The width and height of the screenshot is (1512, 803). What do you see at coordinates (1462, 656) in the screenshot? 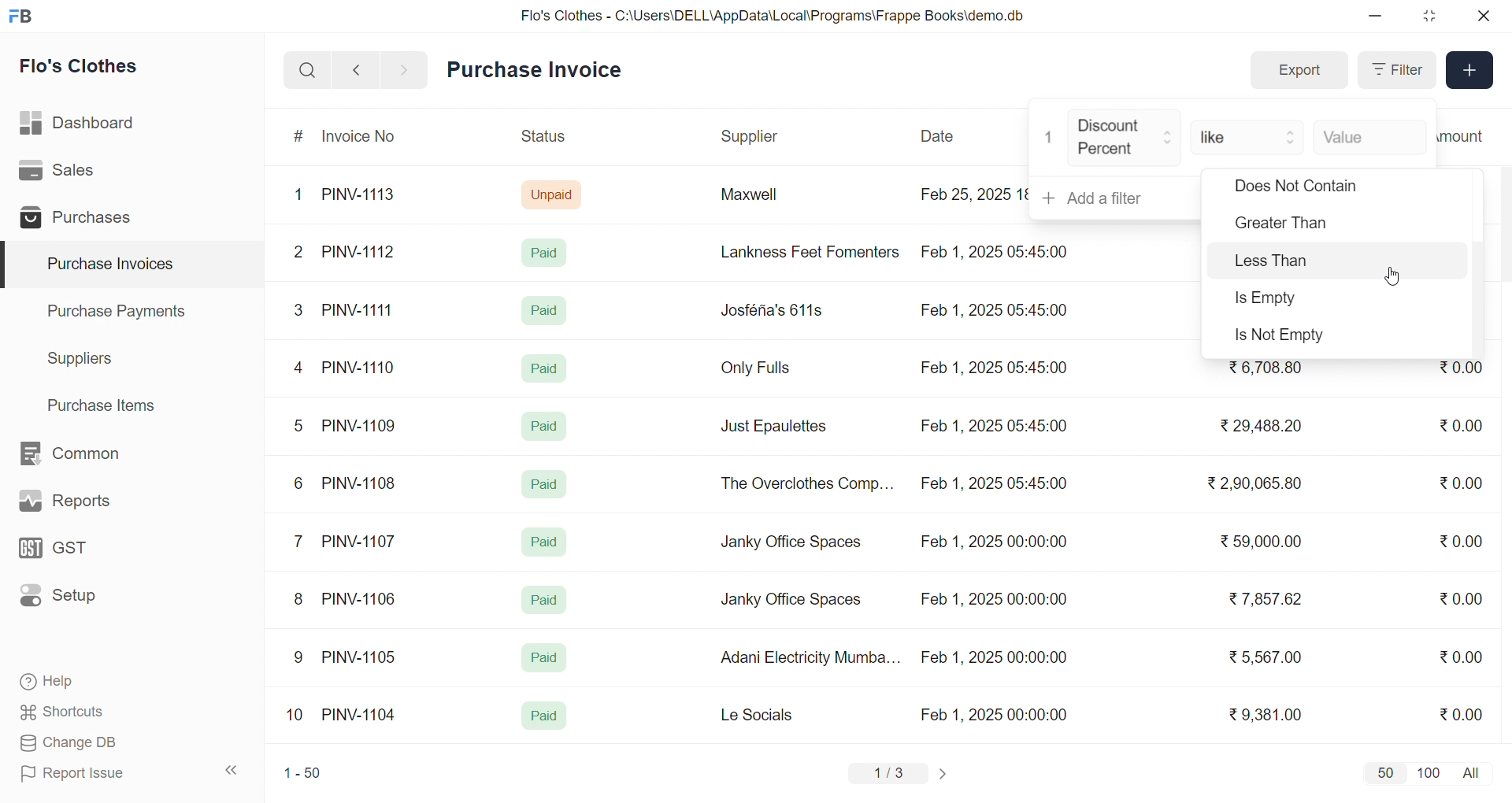
I see `₹0.00` at bounding box center [1462, 656].